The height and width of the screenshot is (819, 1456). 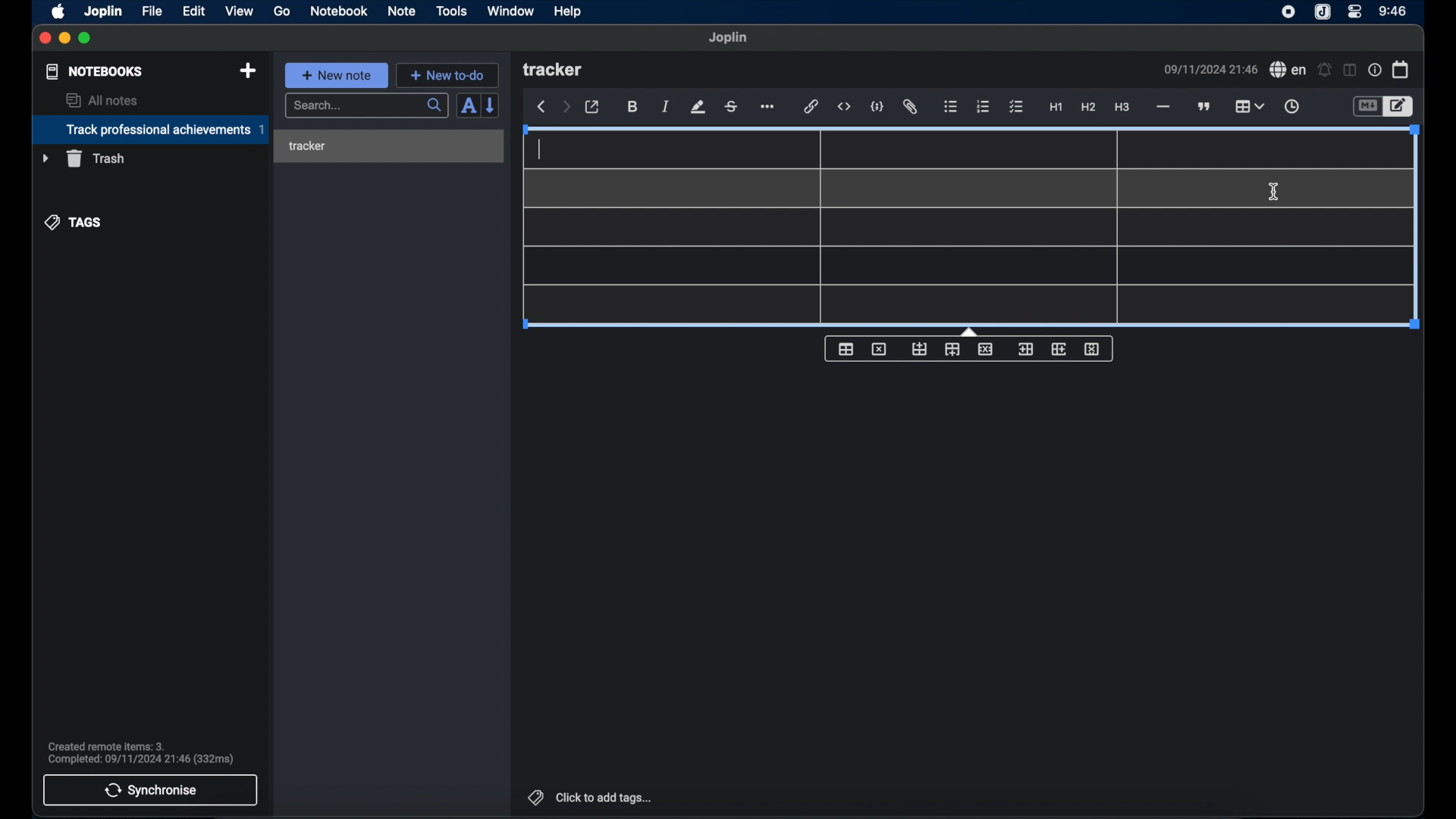 I want to click on new note, so click(x=336, y=74).